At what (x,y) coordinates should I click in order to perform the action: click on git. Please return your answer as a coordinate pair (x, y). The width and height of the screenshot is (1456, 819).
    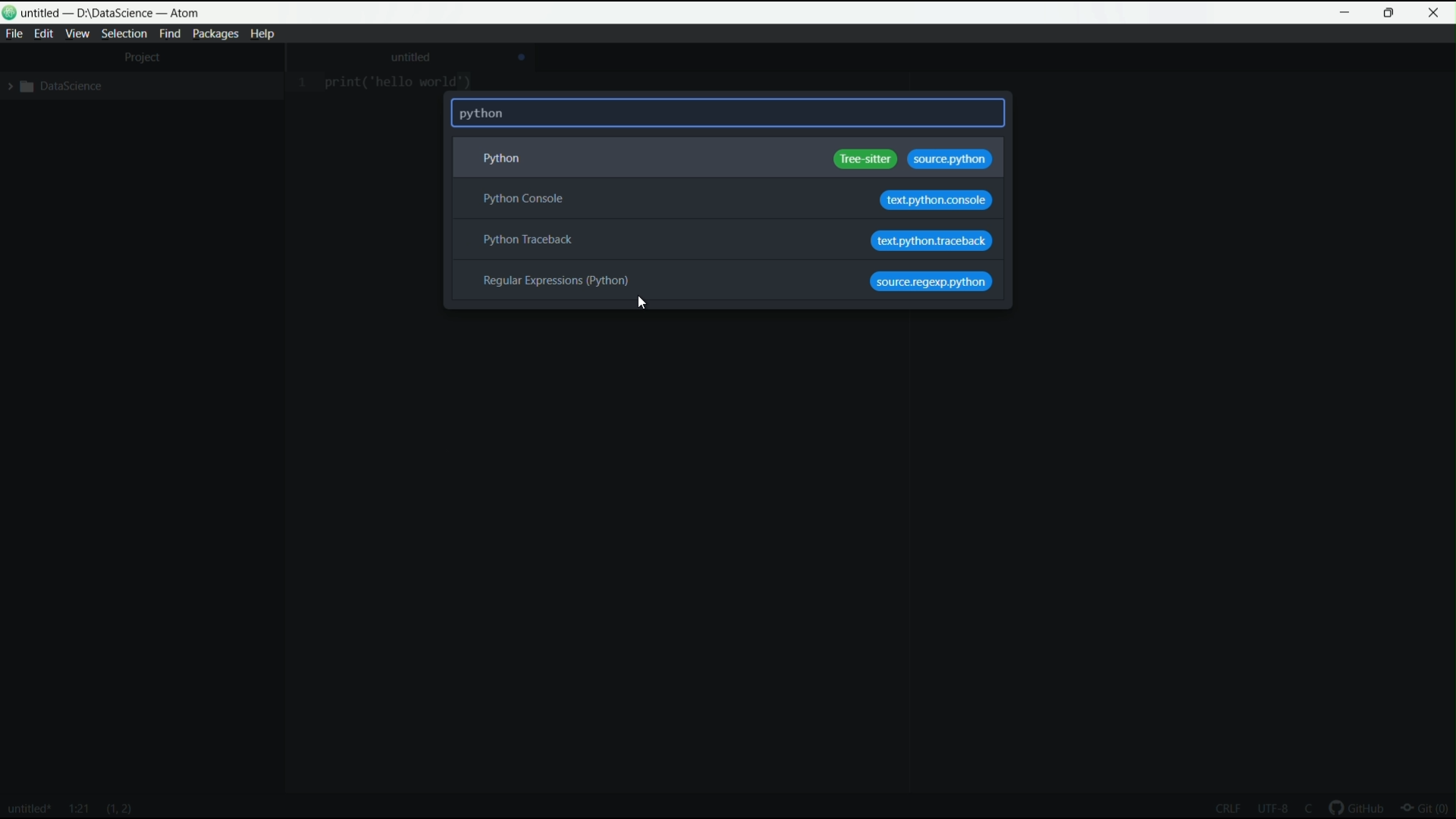
    Looking at the image, I should click on (1429, 810).